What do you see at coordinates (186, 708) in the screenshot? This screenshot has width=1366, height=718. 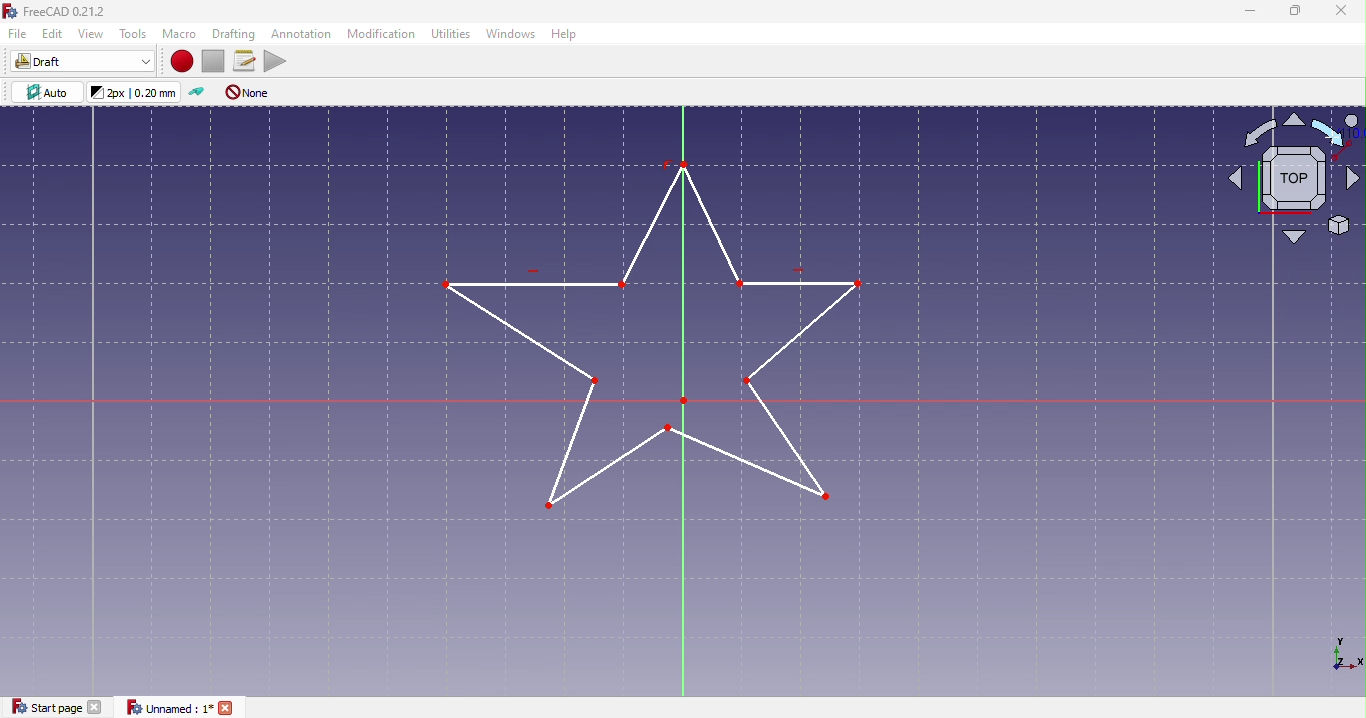 I see `Current page` at bounding box center [186, 708].